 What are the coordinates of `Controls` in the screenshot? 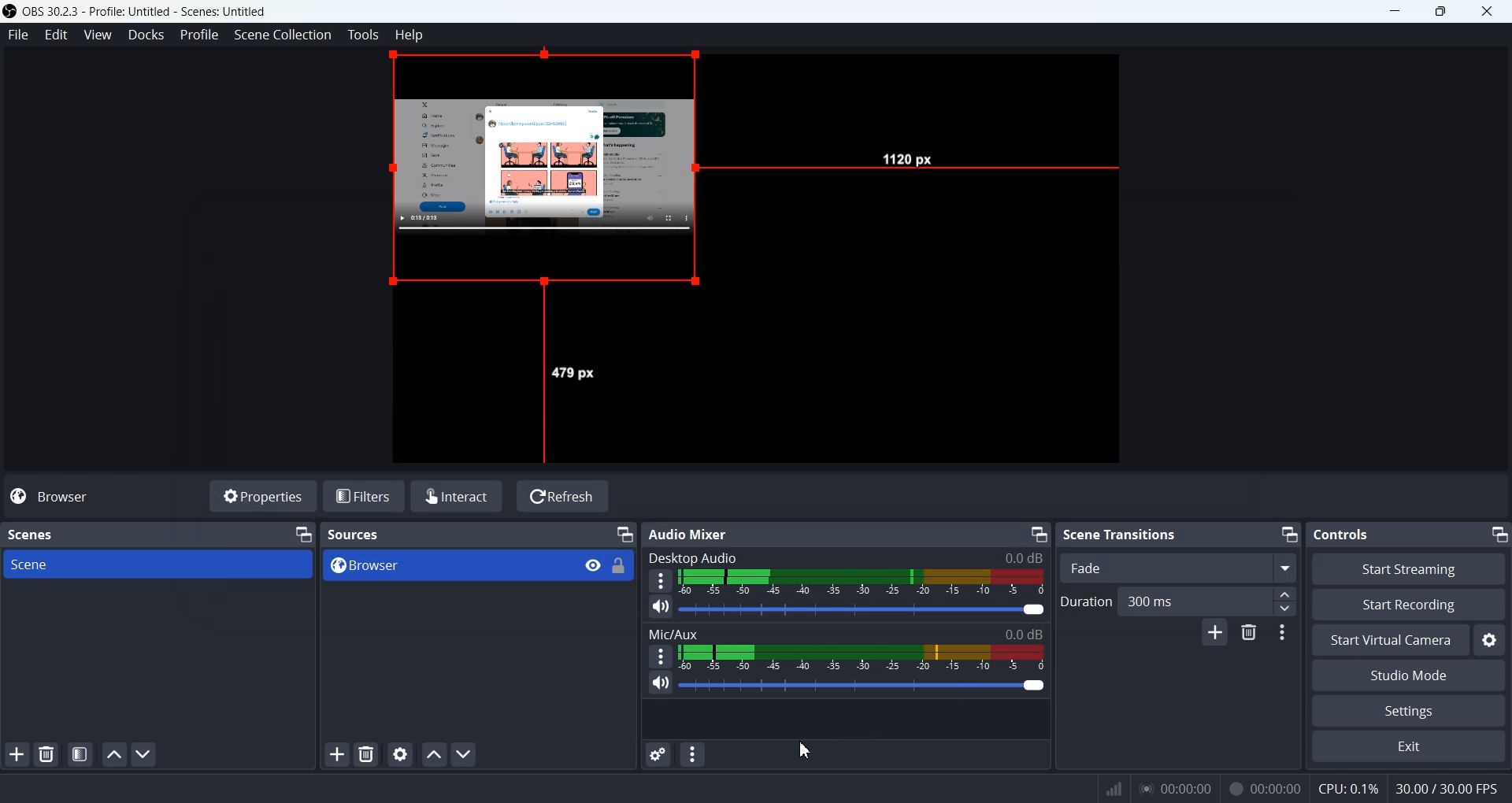 It's located at (1347, 533).